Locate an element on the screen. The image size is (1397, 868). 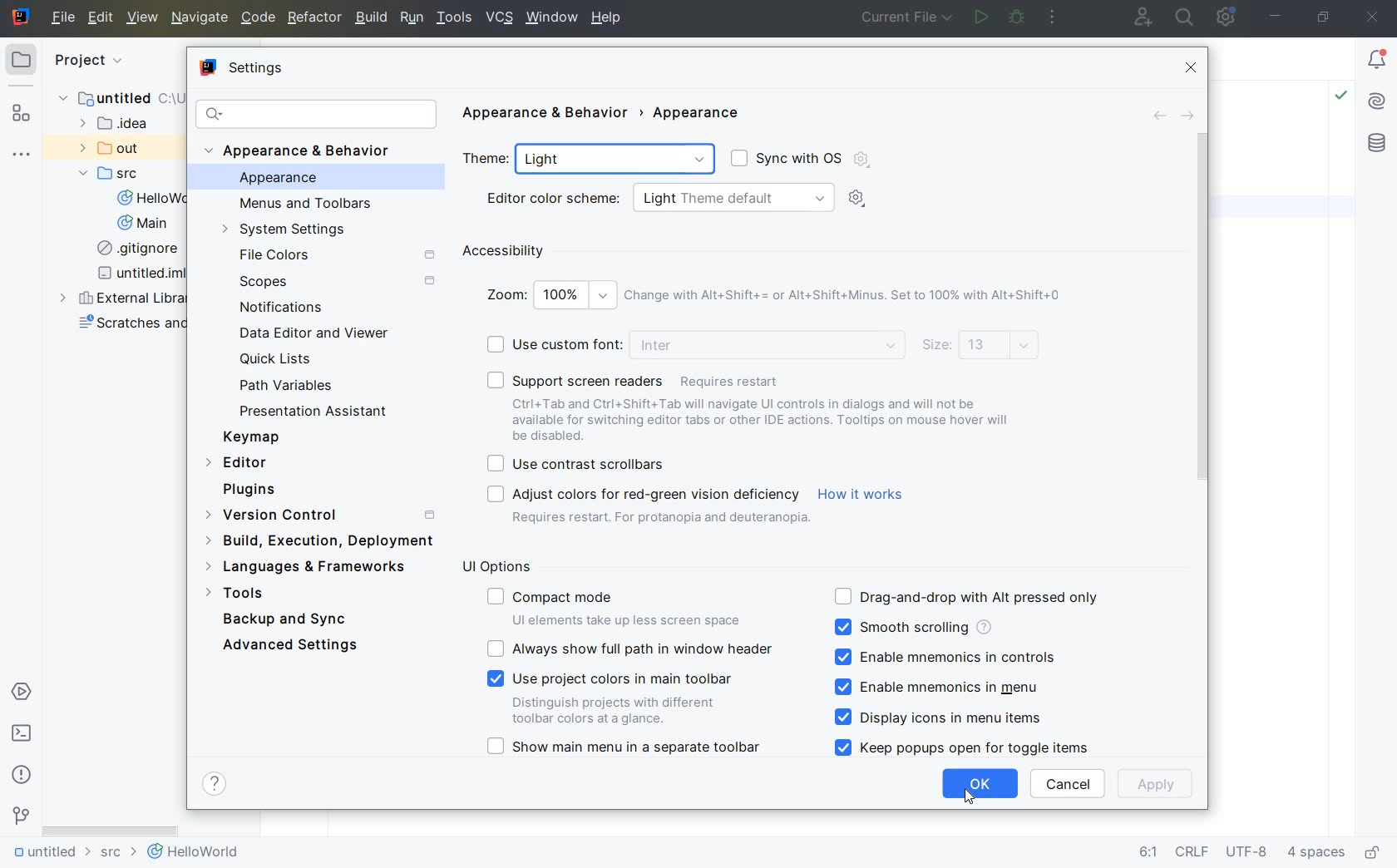
SCRATCHES AND CONSOLES is located at coordinates (131, 326).